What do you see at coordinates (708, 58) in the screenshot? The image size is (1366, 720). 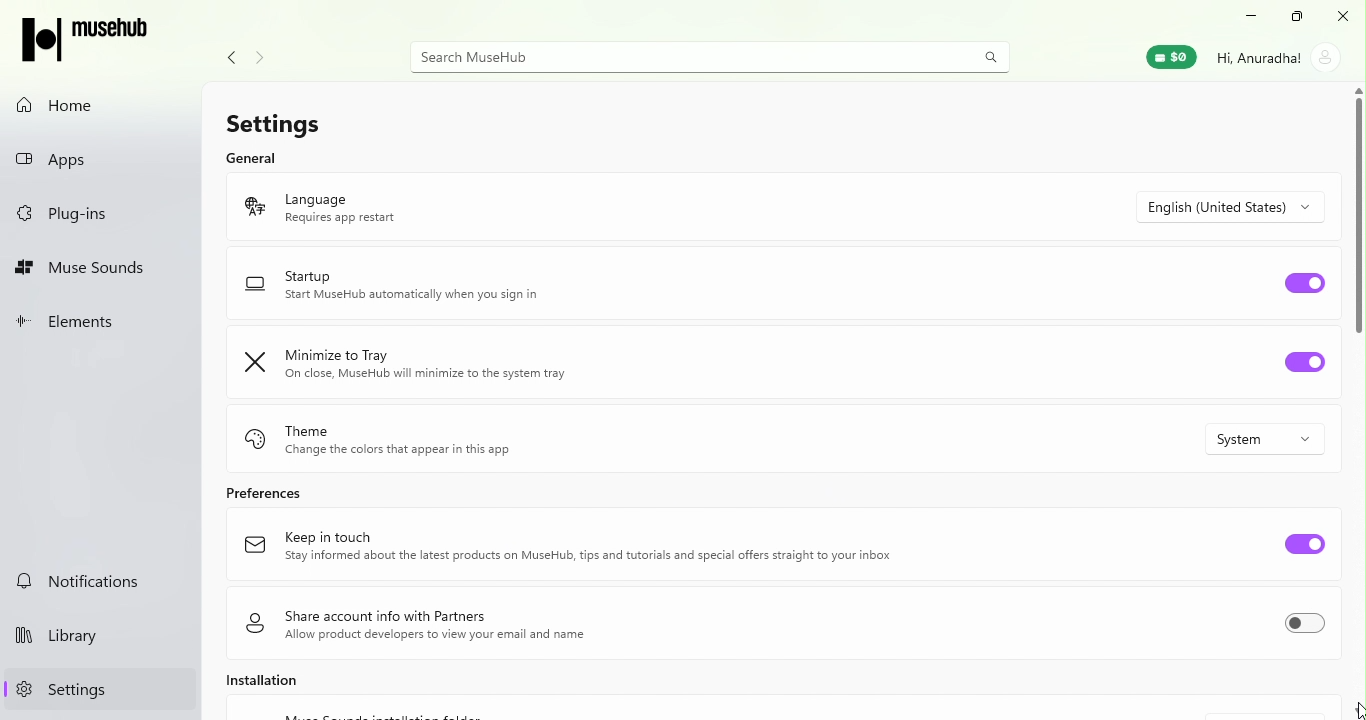 I see `Search MuseHUb` at bounding box center [708, 58].